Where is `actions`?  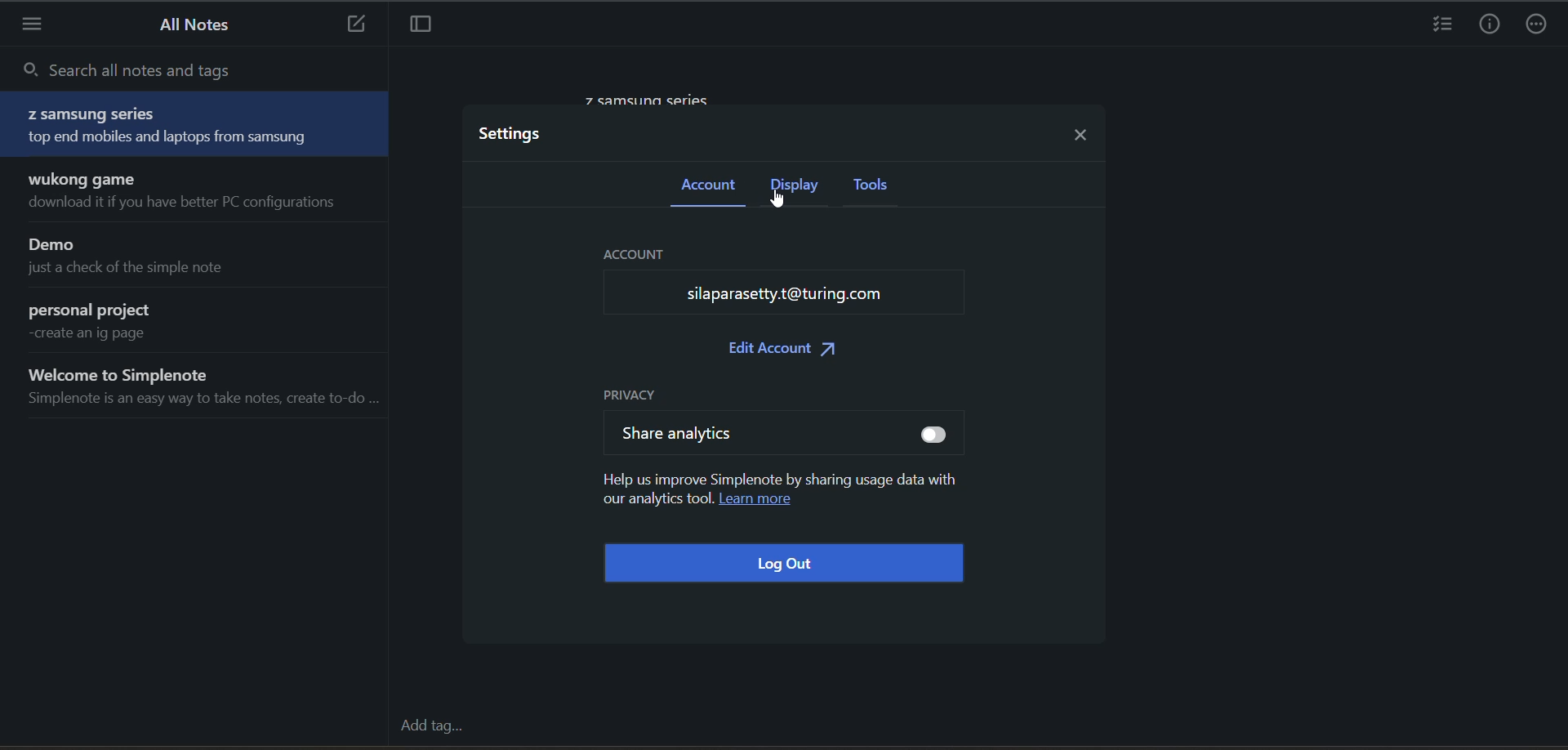 actions is located at coordinates (1539, 25).